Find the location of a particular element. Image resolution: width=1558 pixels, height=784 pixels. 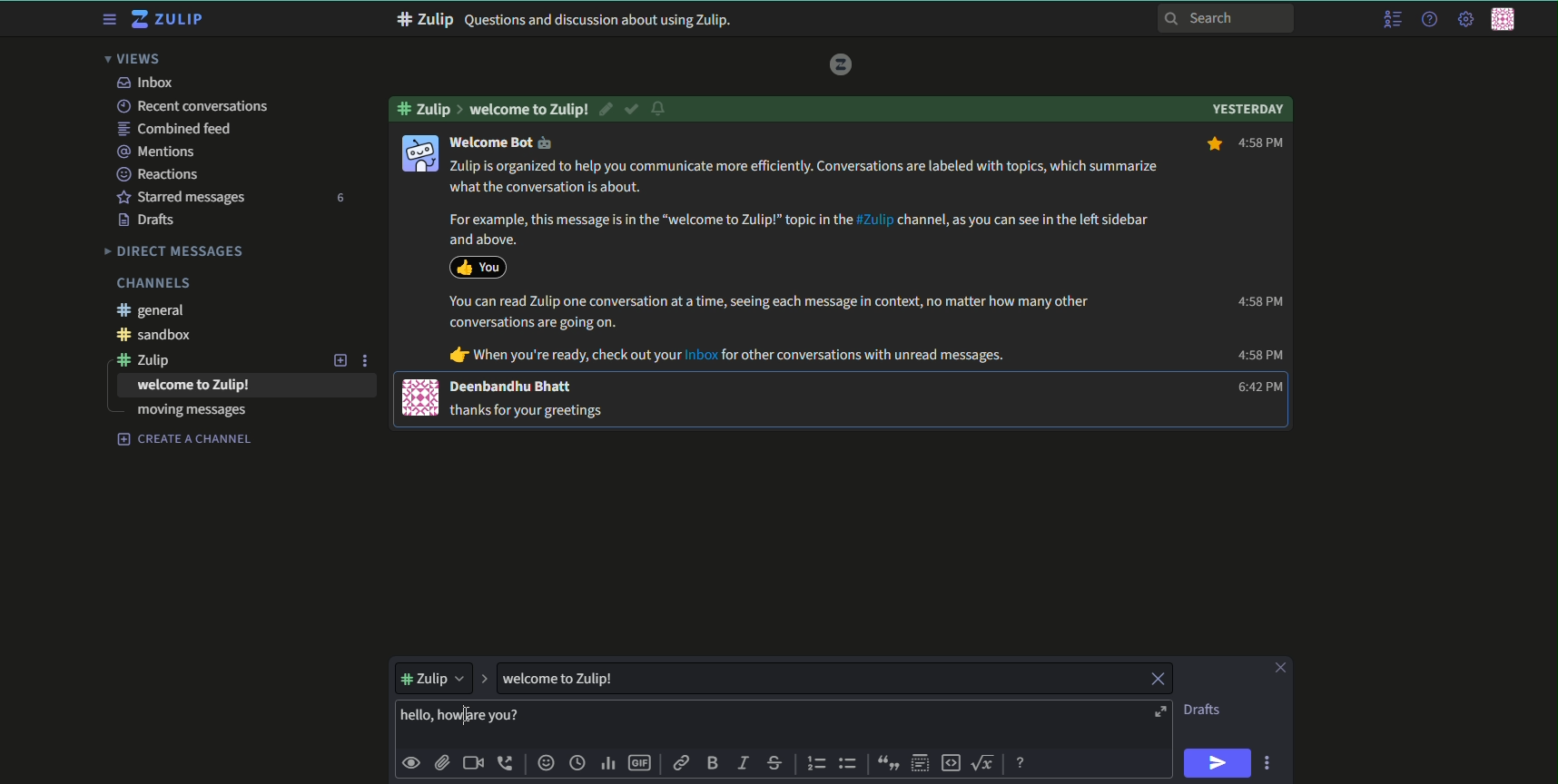

close is located at coordinates (1278, 668).